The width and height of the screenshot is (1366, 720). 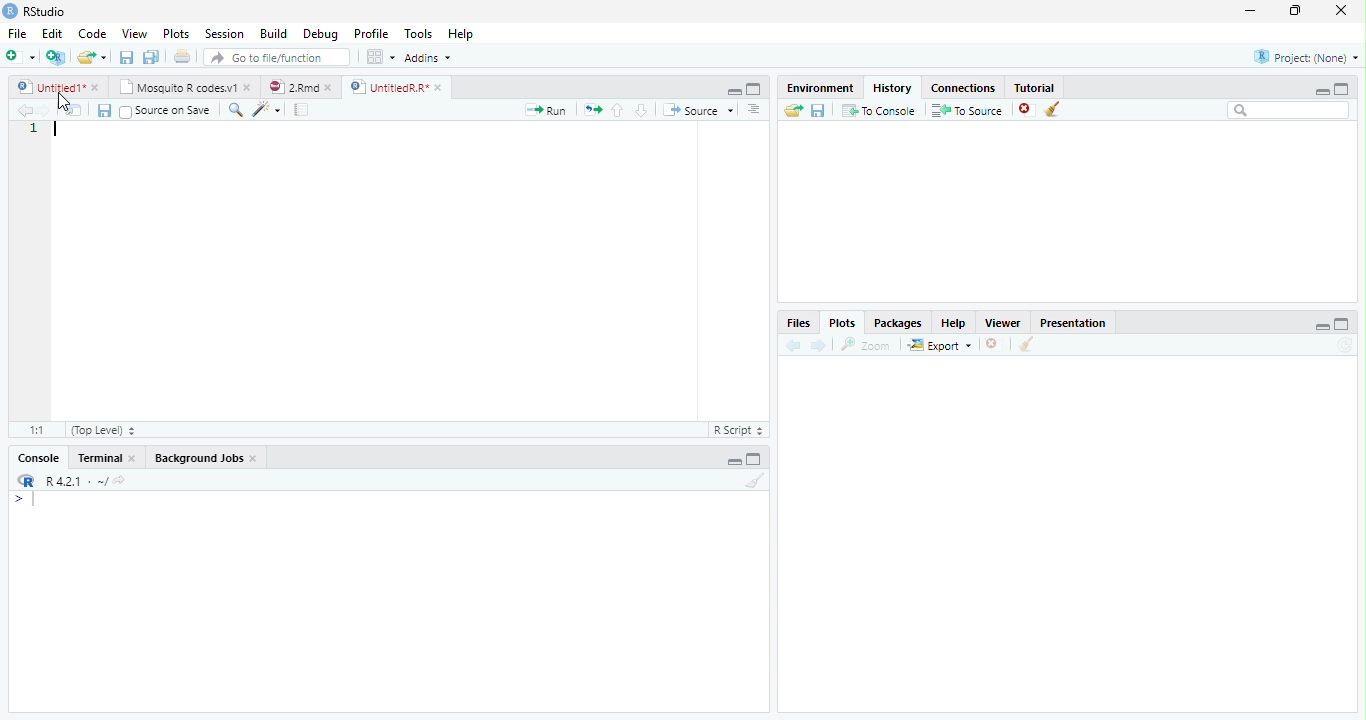 I want to click on Code, so click(x=91, y=34).